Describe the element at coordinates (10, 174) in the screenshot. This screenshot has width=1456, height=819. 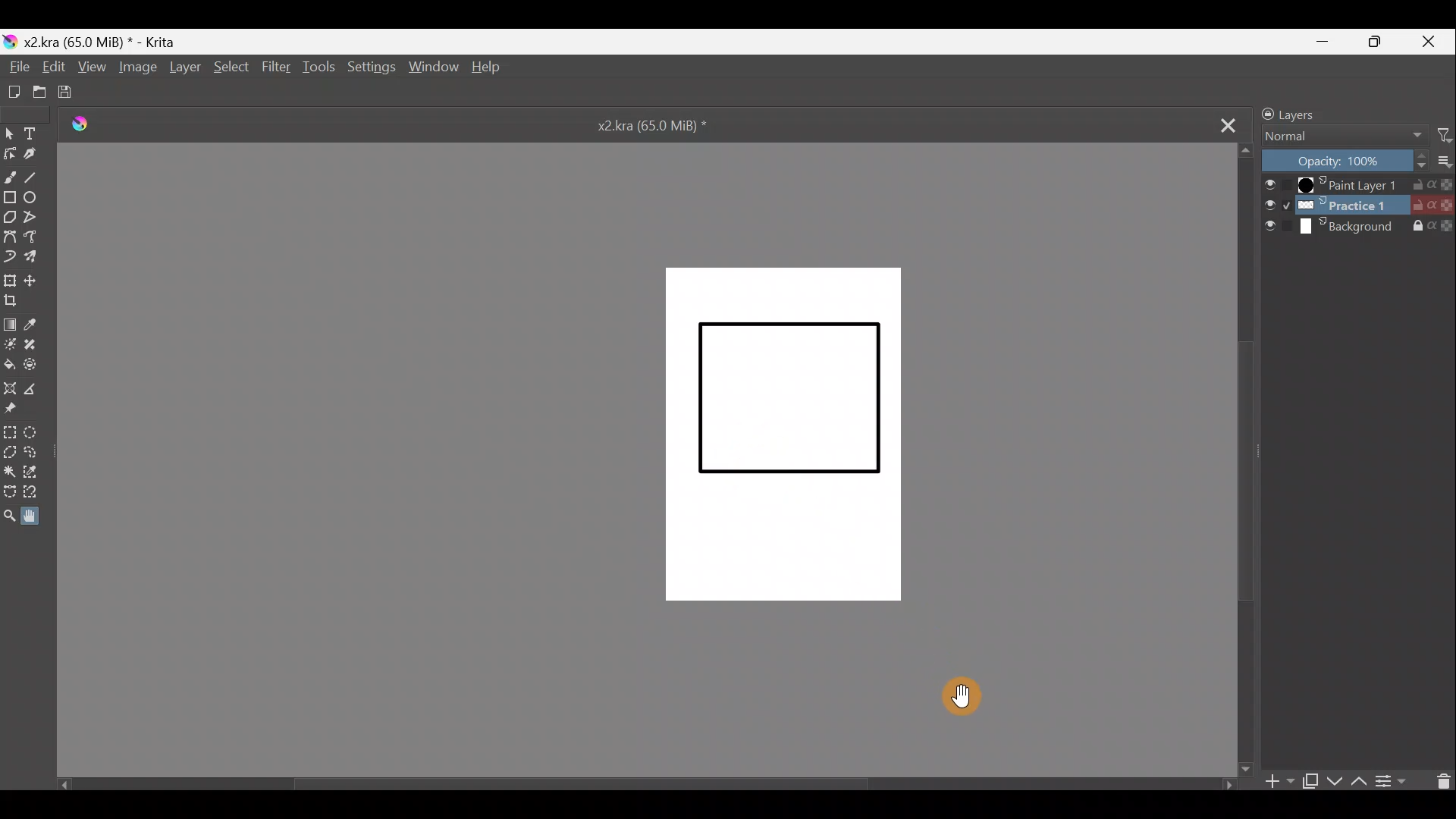
I see `Freehand brush tool` at that location.